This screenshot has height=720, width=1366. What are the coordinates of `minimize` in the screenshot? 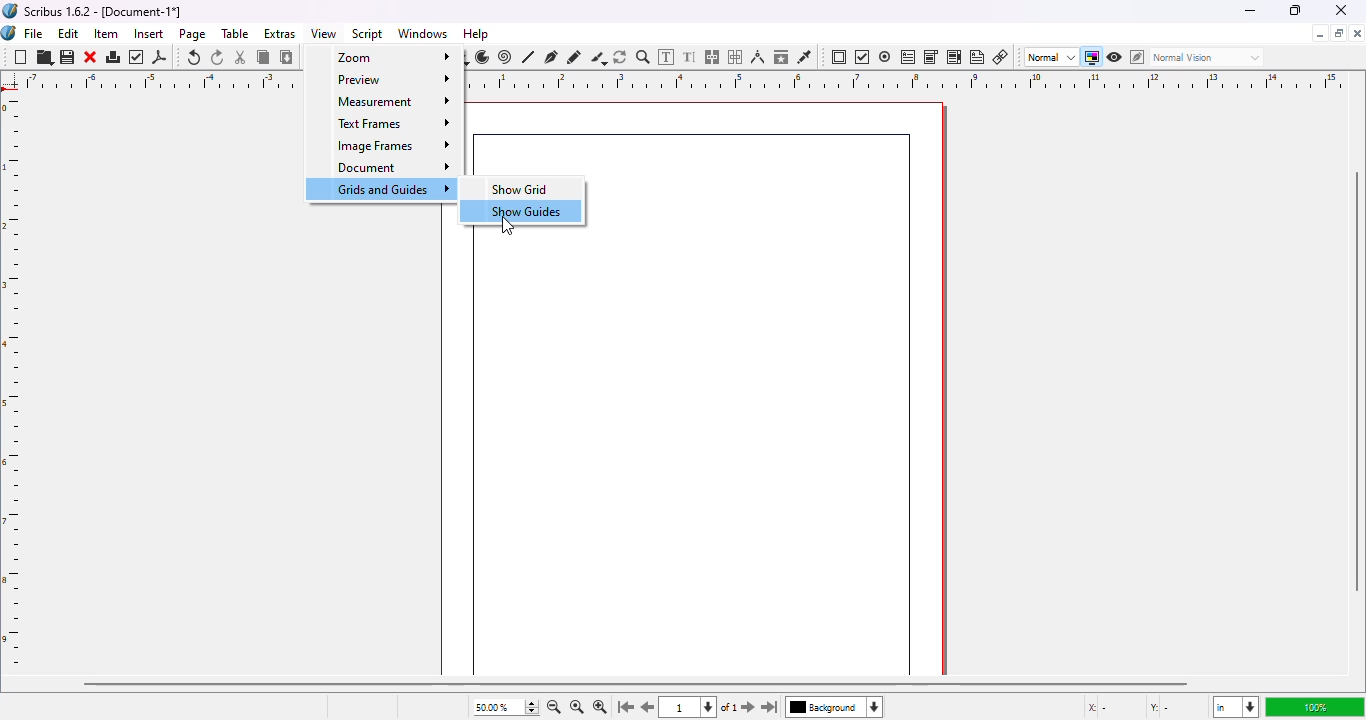 It's located at (1249, 10).